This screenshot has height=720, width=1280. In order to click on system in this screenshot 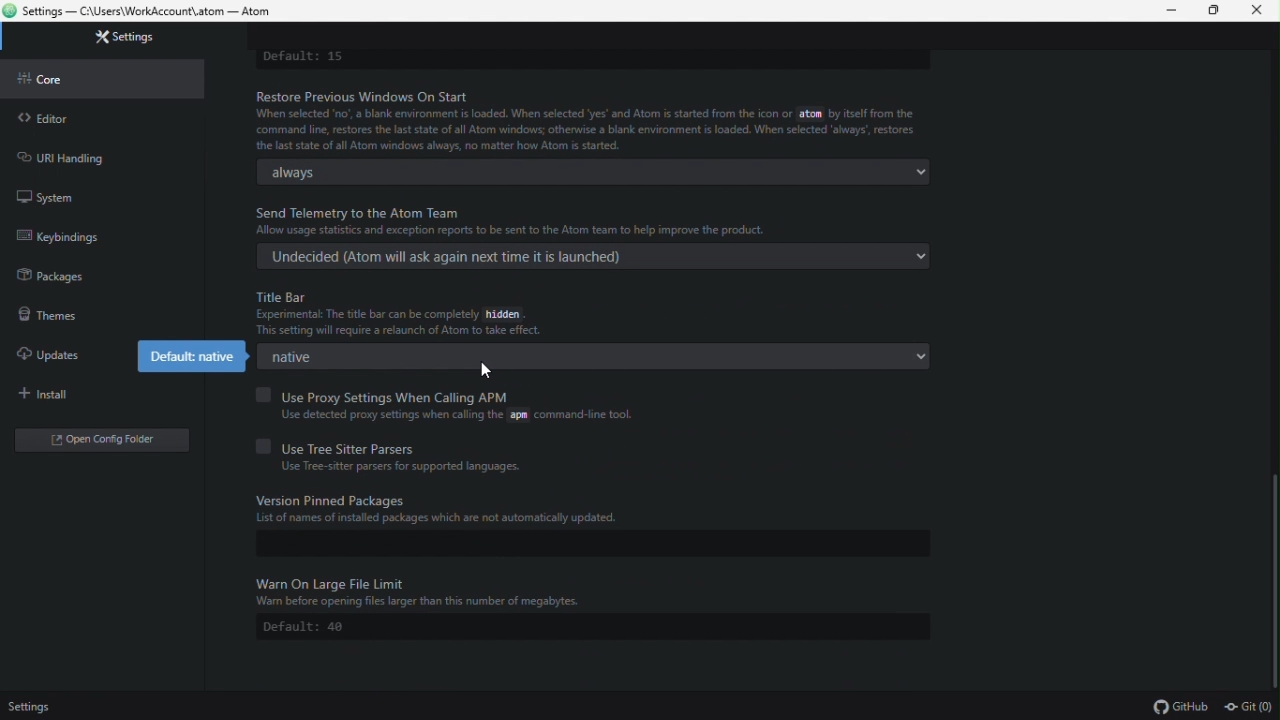, I will do `click(74, 194)`.